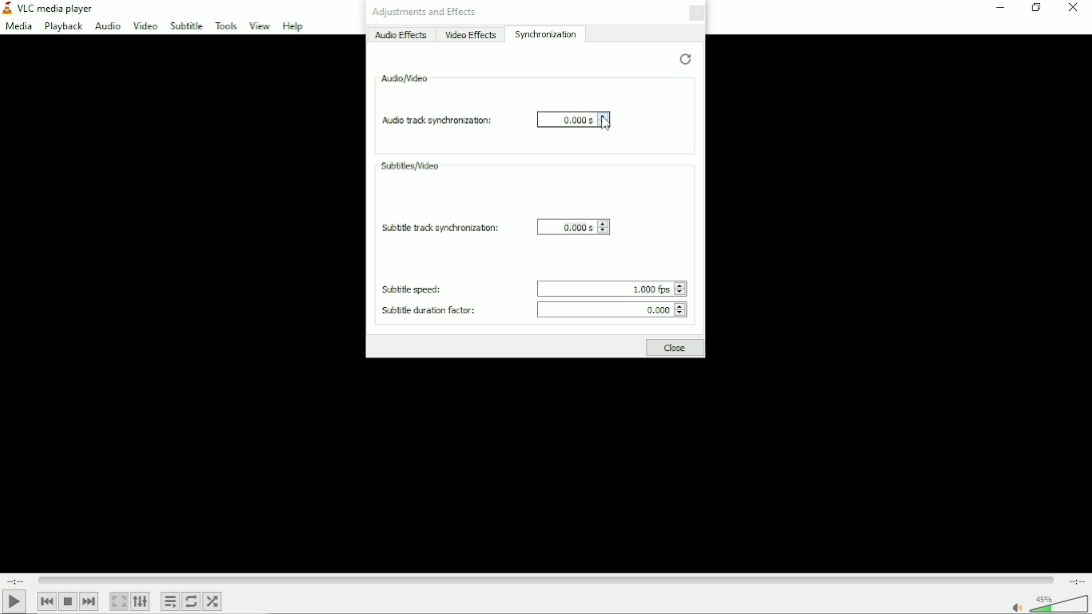 The height and width of the screenshot is (614, 1092). What do you see at coordinates (404, 77) in the screenshot?
I see `Audio/video` at bounding box center [404, 77].